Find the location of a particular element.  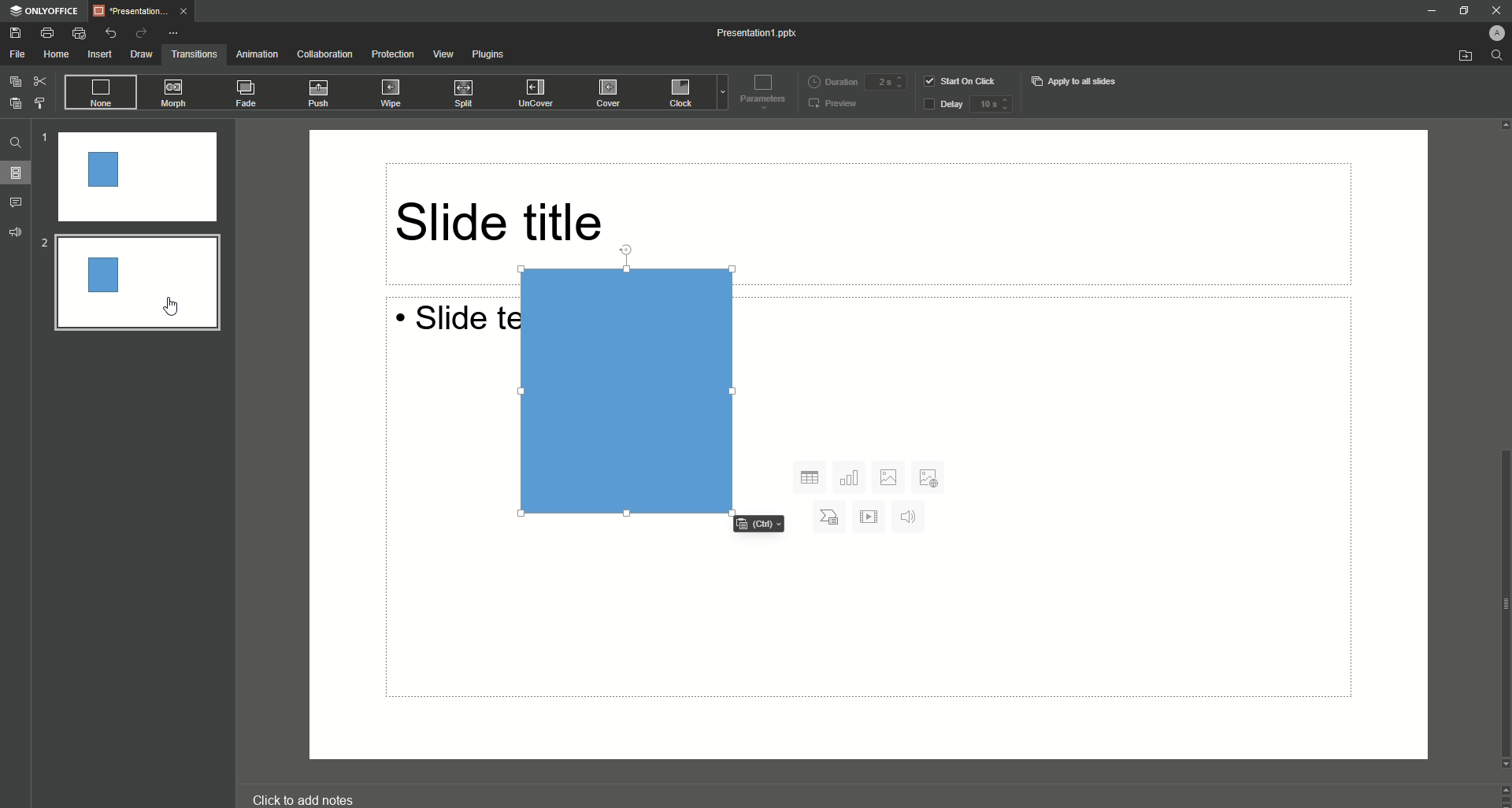

Rectangle in Slide 2 is located at coordinates (628, 391).